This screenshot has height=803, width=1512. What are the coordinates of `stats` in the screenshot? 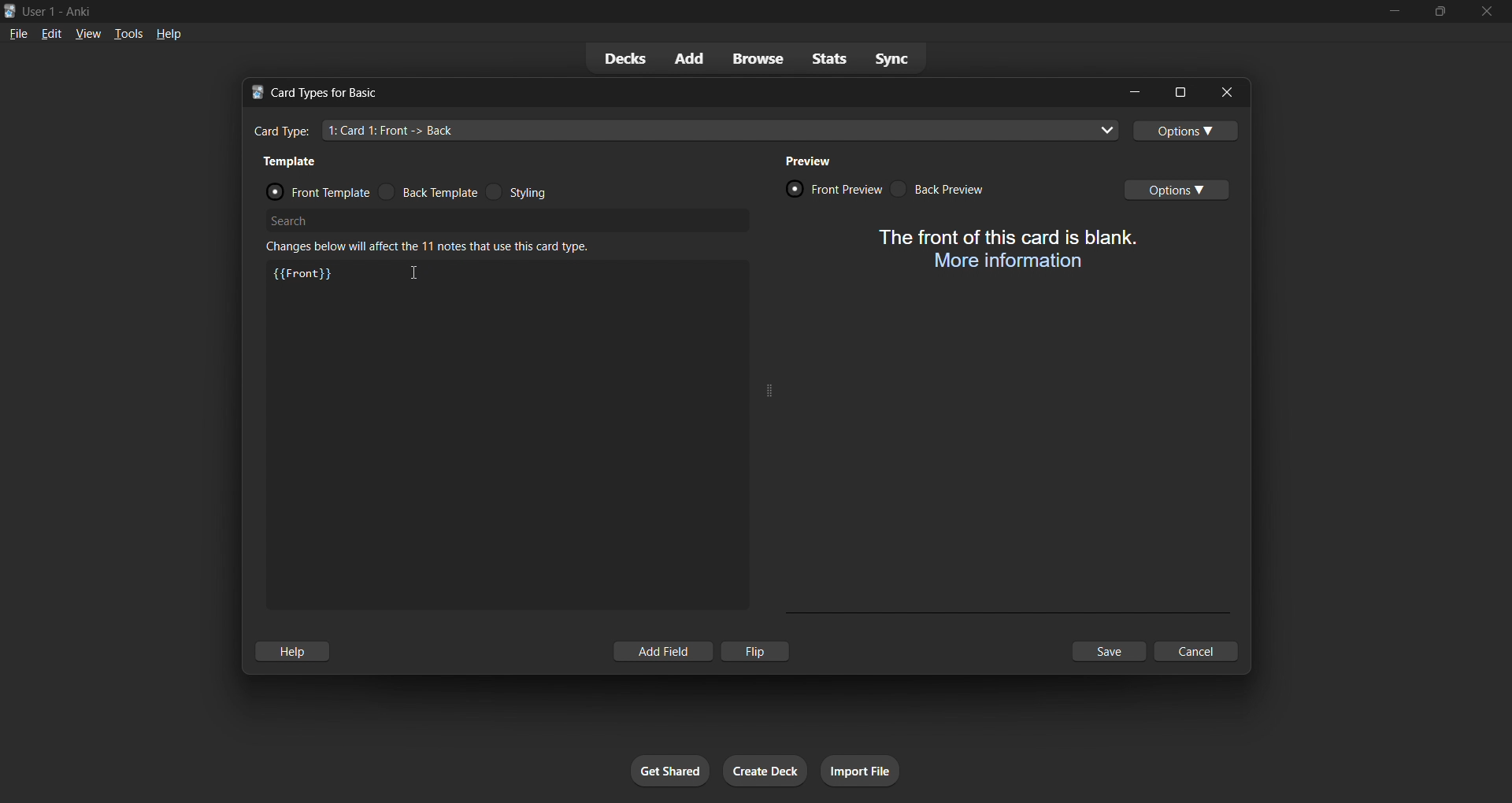 It's located at (825, 61).